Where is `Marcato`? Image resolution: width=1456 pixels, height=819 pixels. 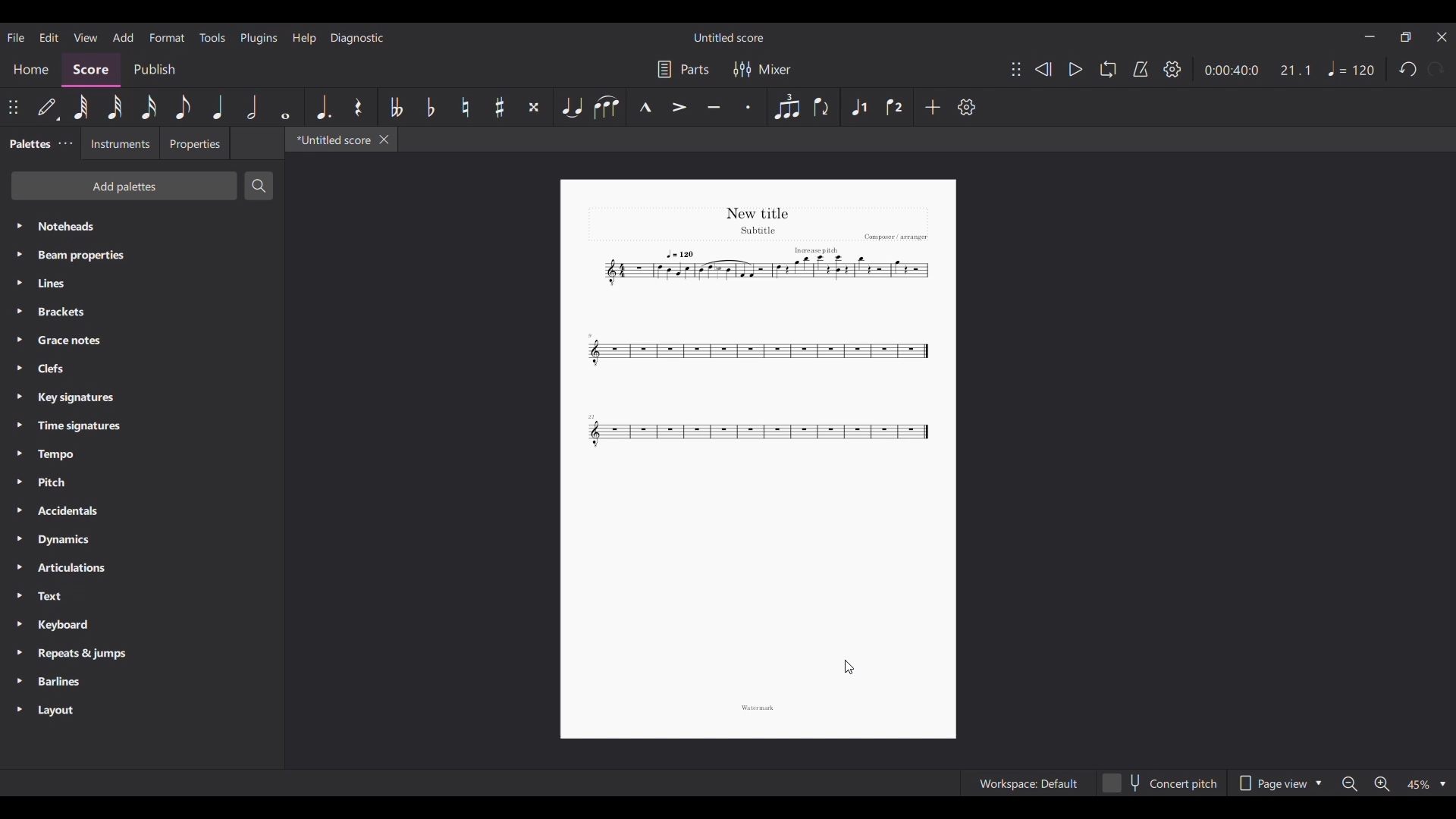
Marcato is located at coordinates (645, 107).